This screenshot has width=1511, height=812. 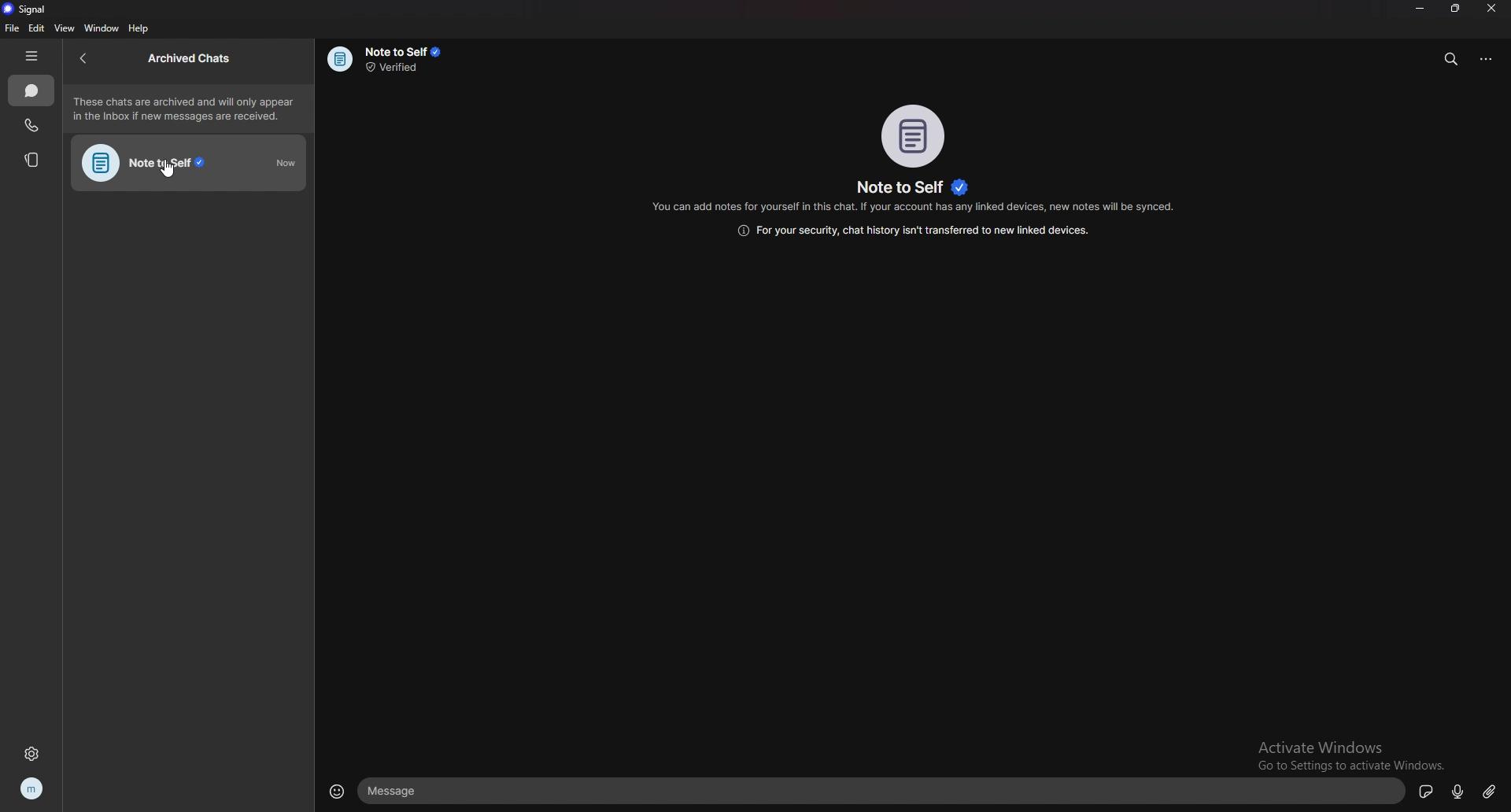 What do you see at coordinates (1488, 59) in the screenshot?
I see `options` at bounding box center [1488, 59].